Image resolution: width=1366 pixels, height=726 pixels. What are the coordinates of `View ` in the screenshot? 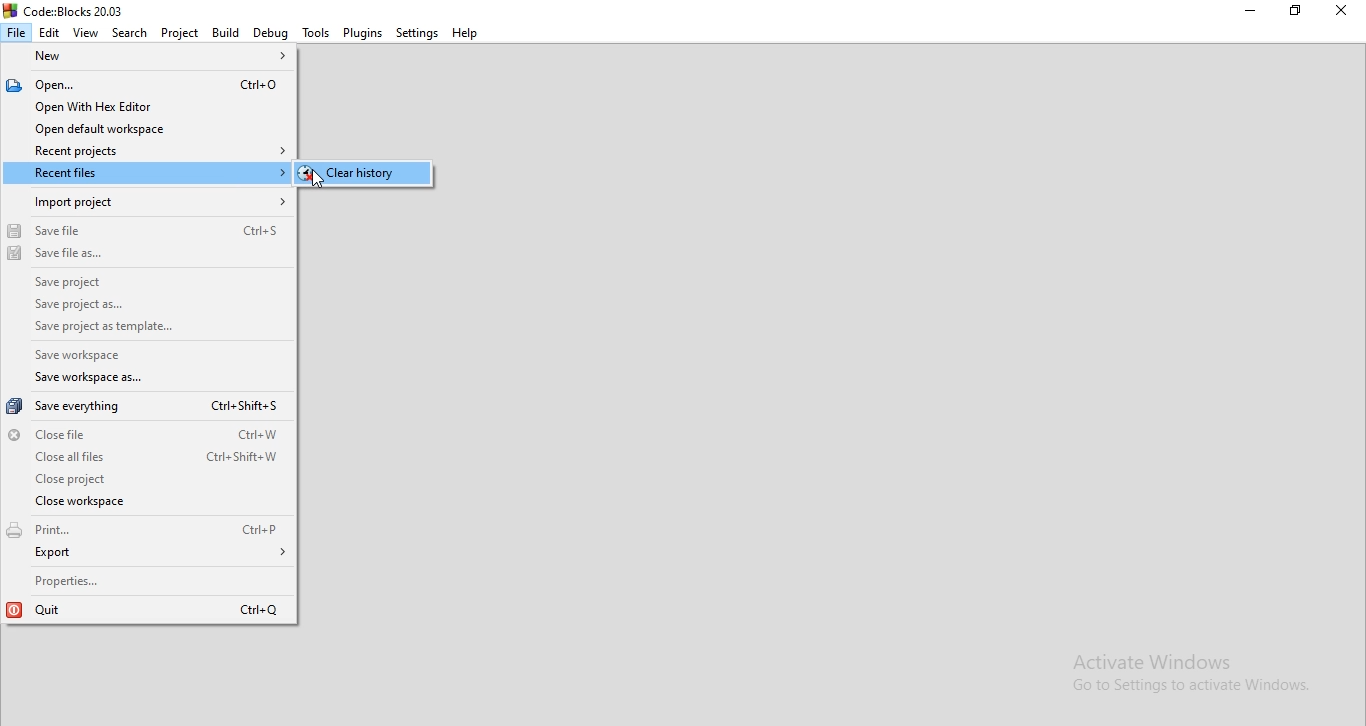 It's located at (85, 32).